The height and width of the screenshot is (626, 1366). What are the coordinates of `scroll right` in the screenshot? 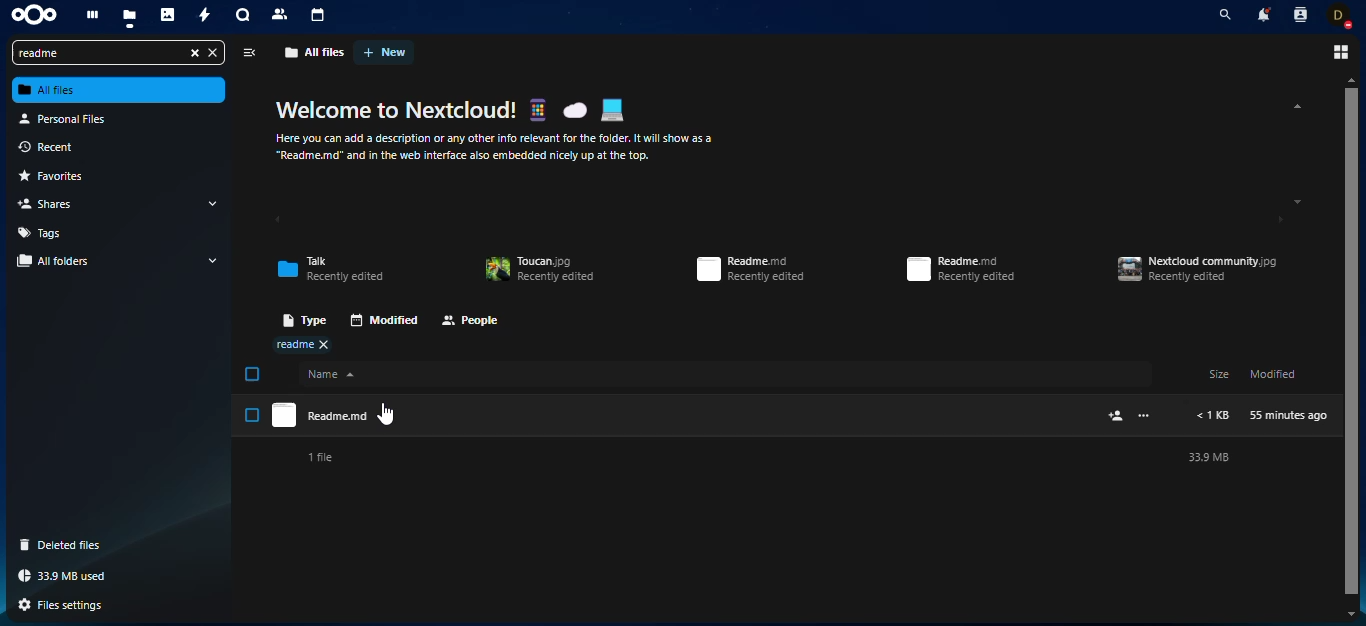 It's located at (1273, 220).